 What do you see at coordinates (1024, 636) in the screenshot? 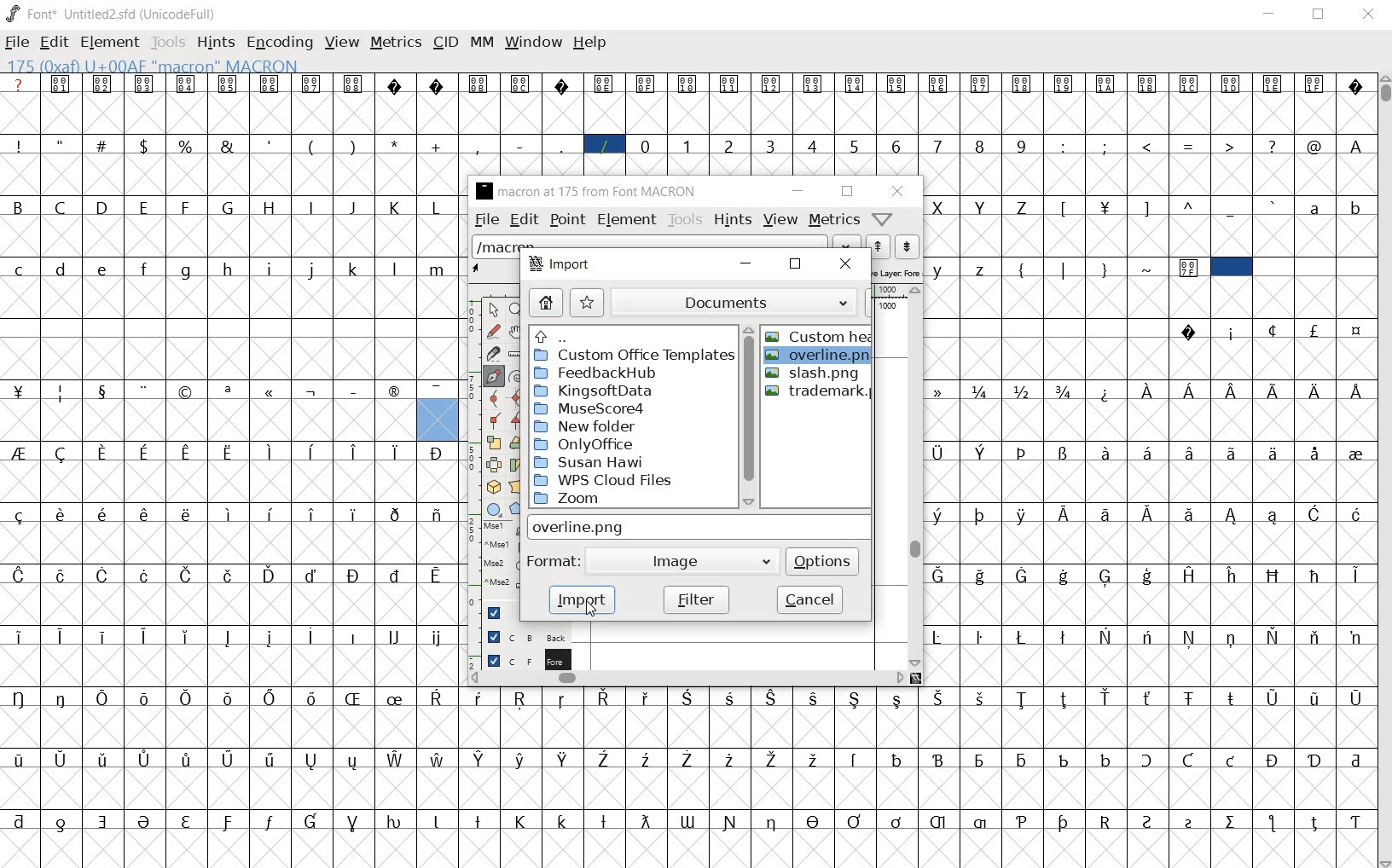
I see `Symbol` at bounding box center [1024, 636].